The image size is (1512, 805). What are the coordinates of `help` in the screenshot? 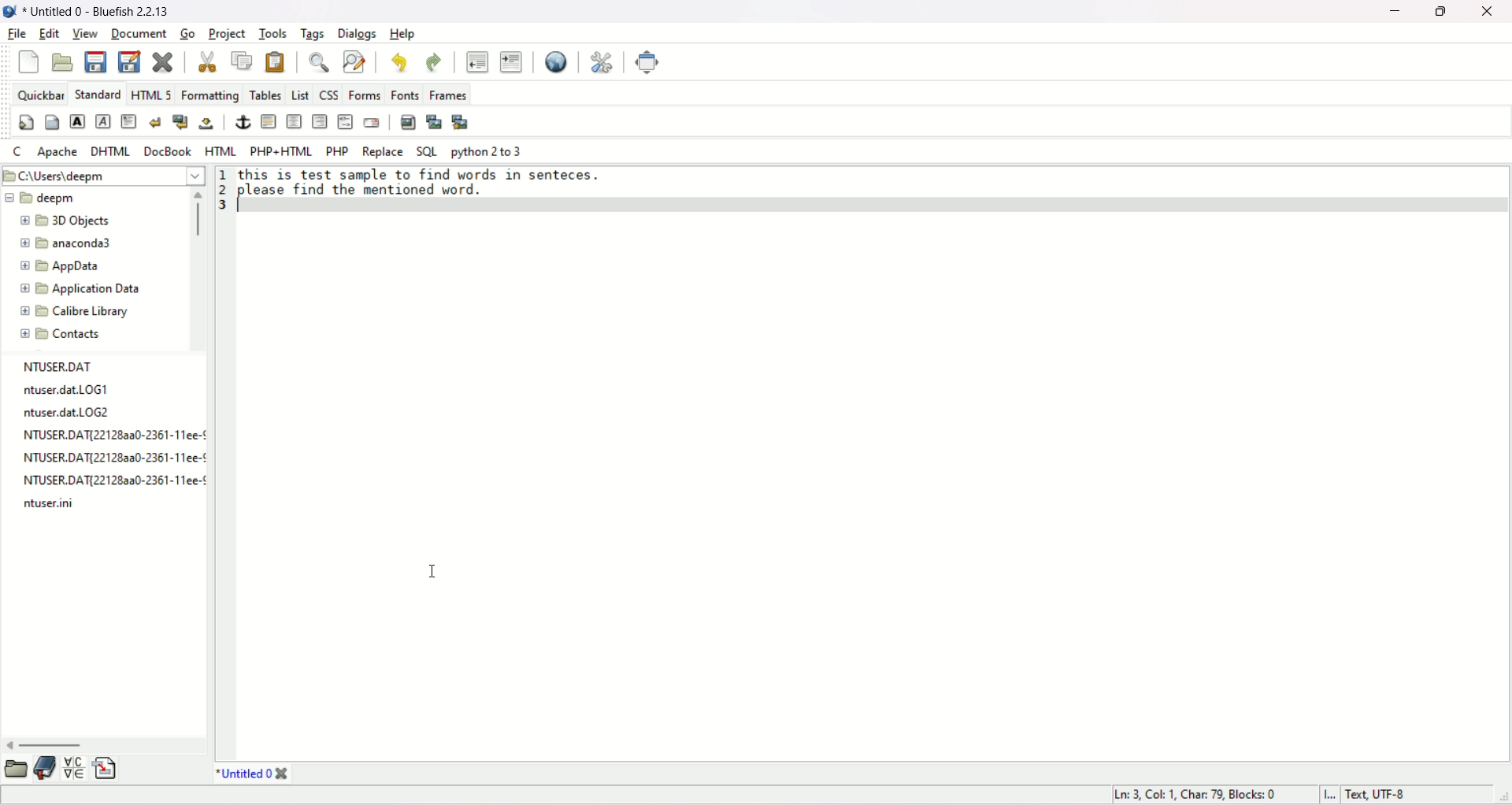 It's located at (403, 35).